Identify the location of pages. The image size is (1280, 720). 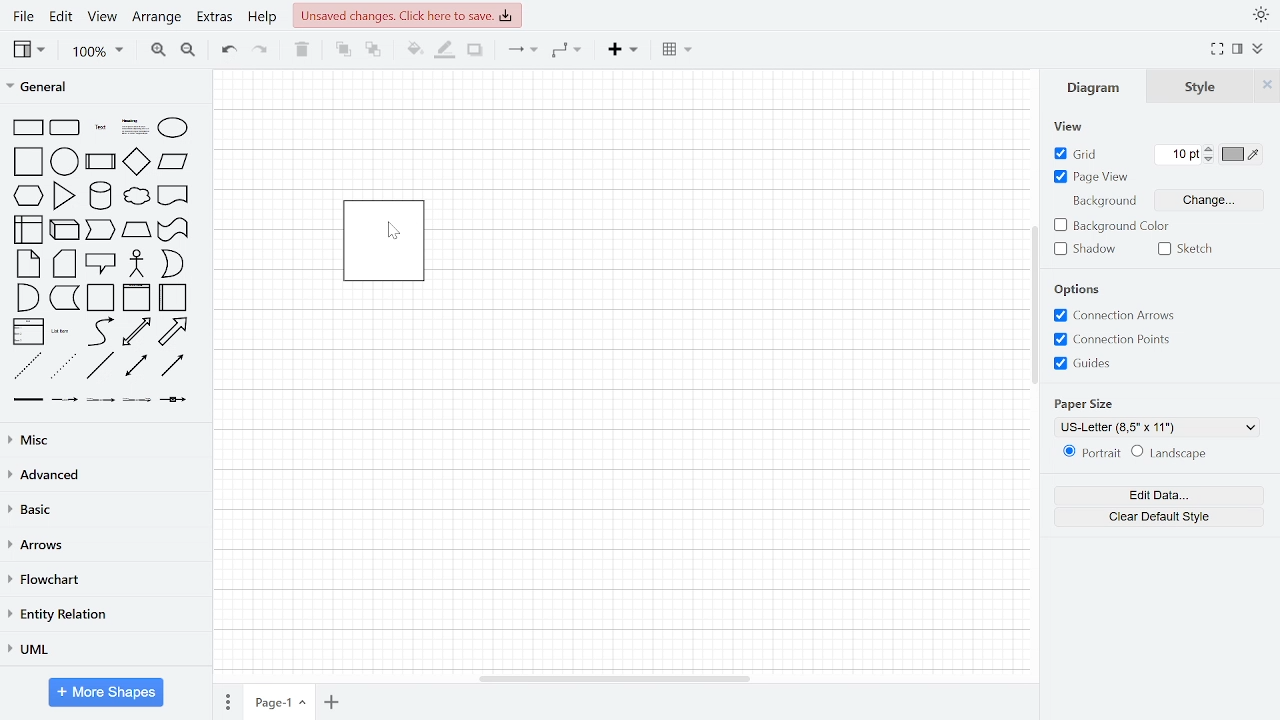
(226, 699).